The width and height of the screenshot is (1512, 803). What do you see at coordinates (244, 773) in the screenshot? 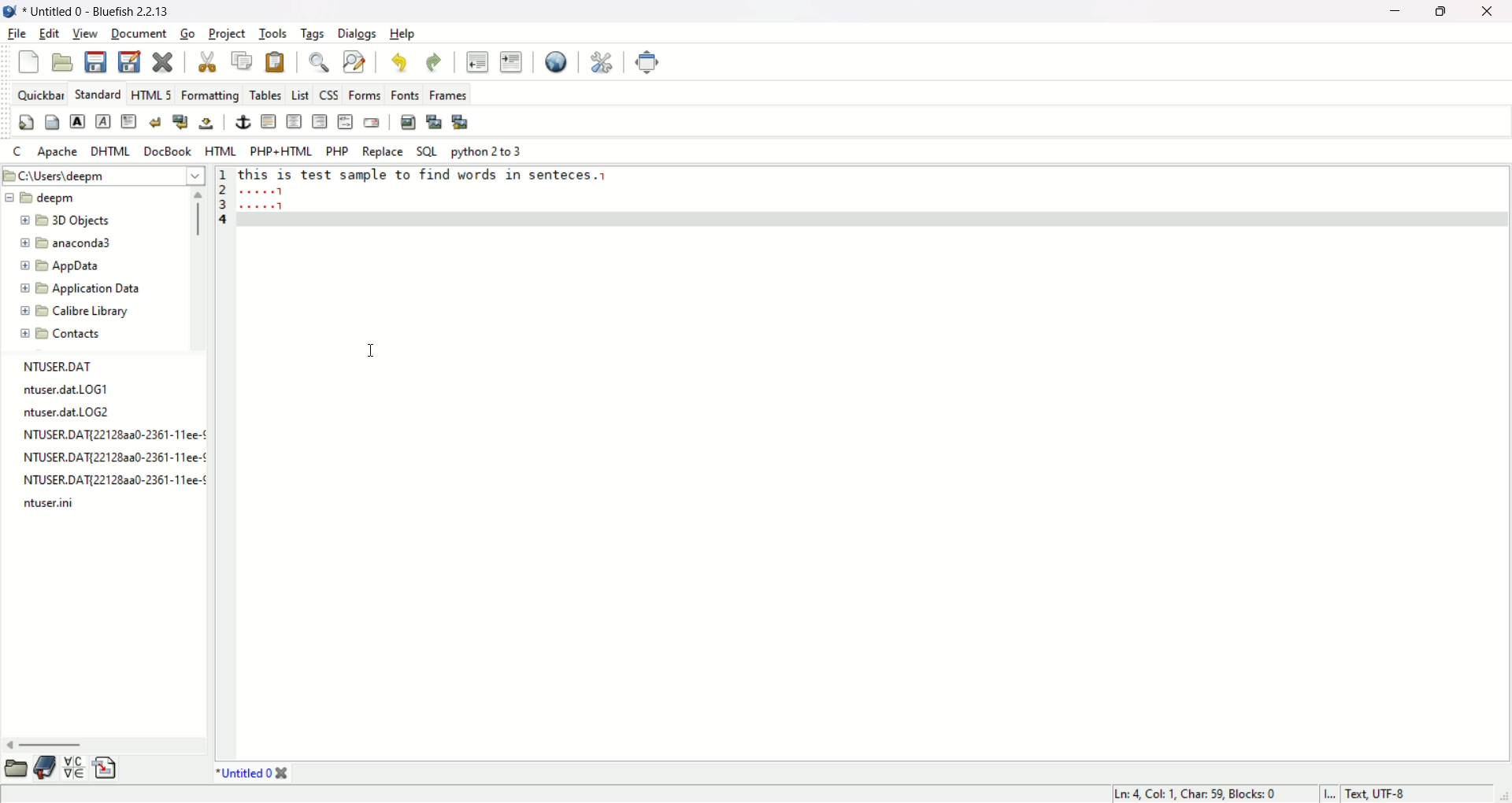
I see `*Untitled 0` at bounding box center [244, 773].